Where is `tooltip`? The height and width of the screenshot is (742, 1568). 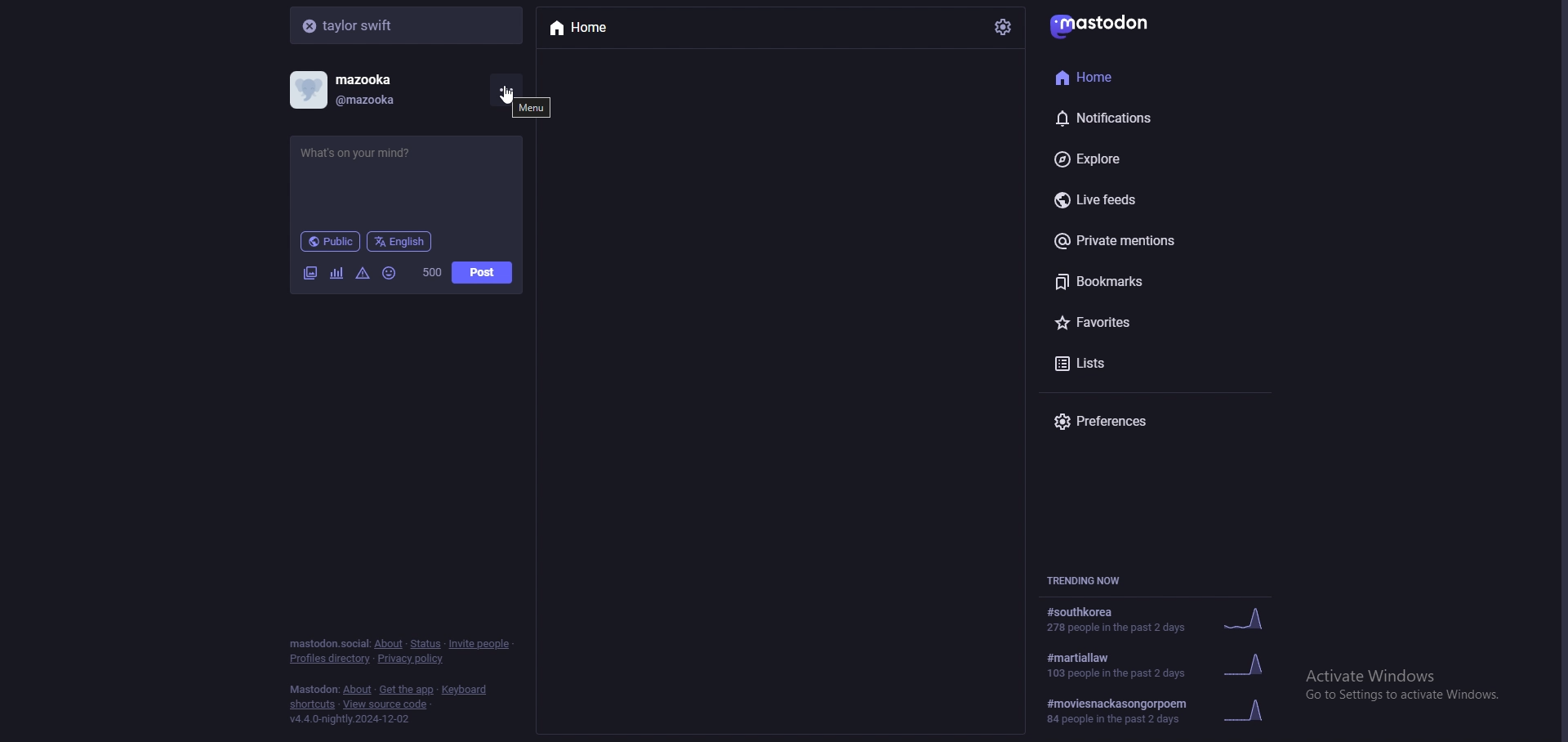 tooltip is located at coordinates (534, 107).